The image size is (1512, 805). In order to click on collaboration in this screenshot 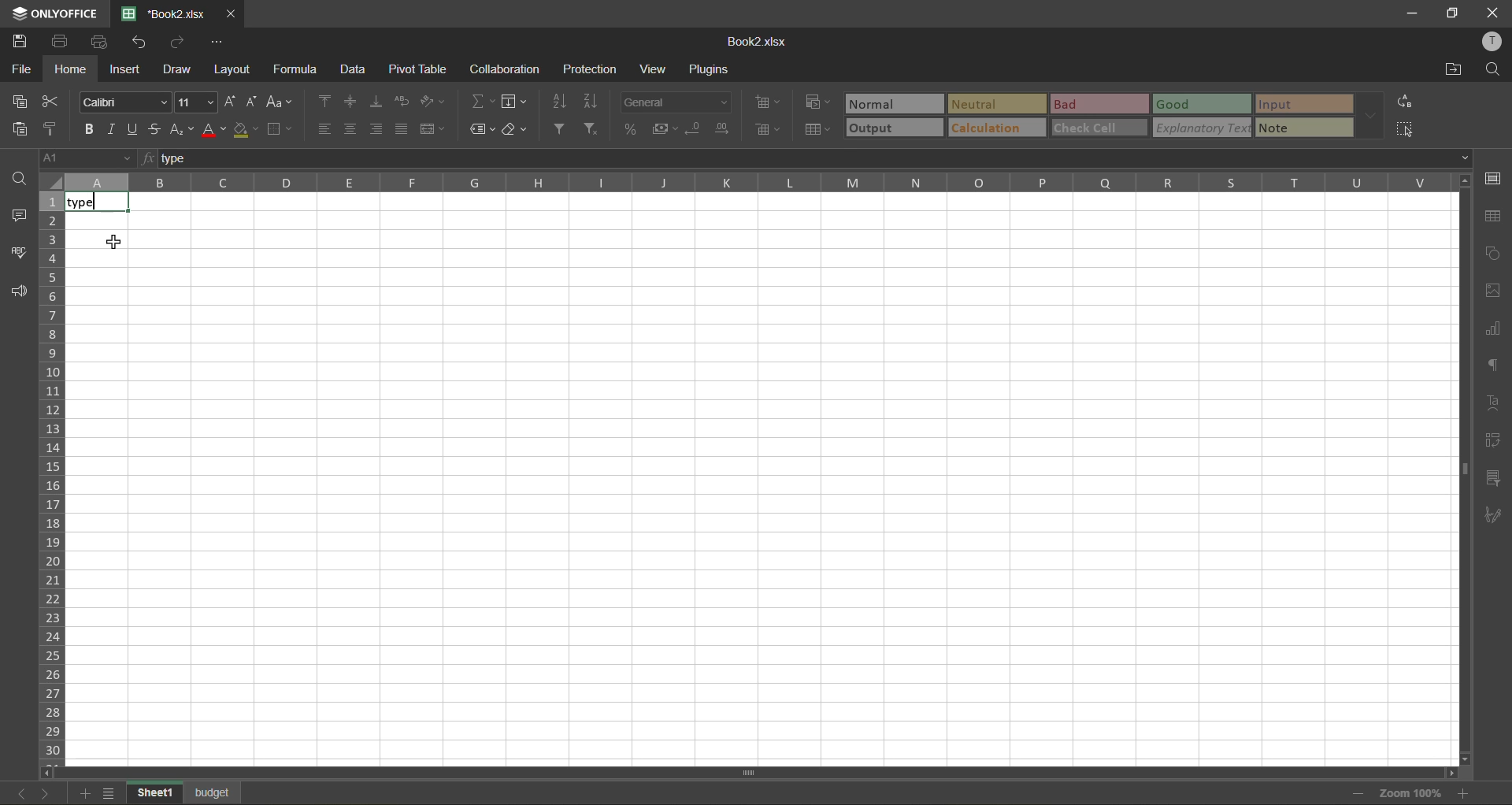, I will do `click(505, 69)`.